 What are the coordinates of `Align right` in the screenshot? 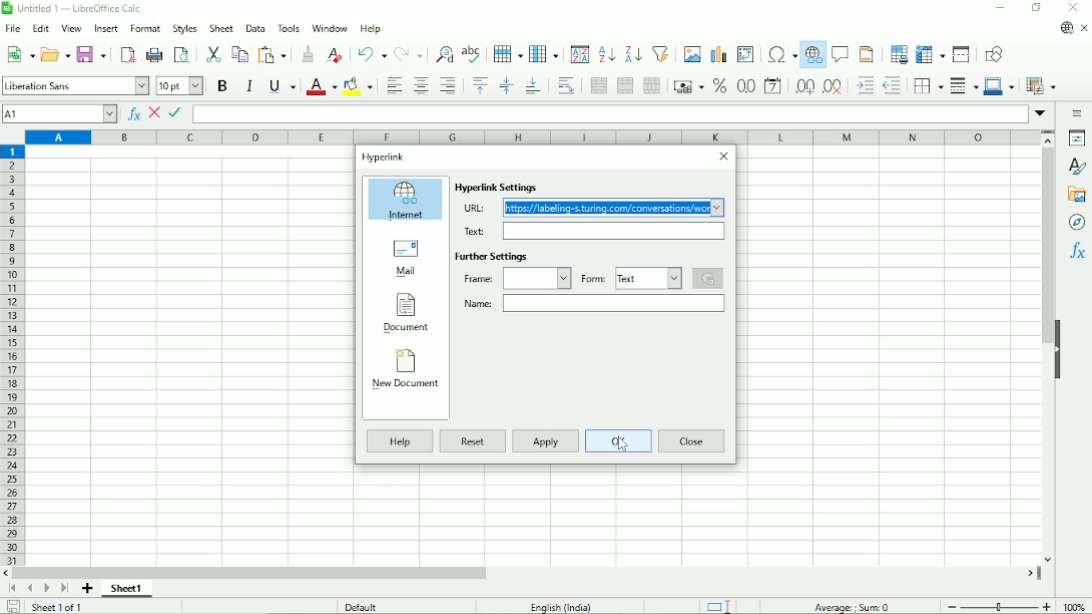 It's located at (450, 85).